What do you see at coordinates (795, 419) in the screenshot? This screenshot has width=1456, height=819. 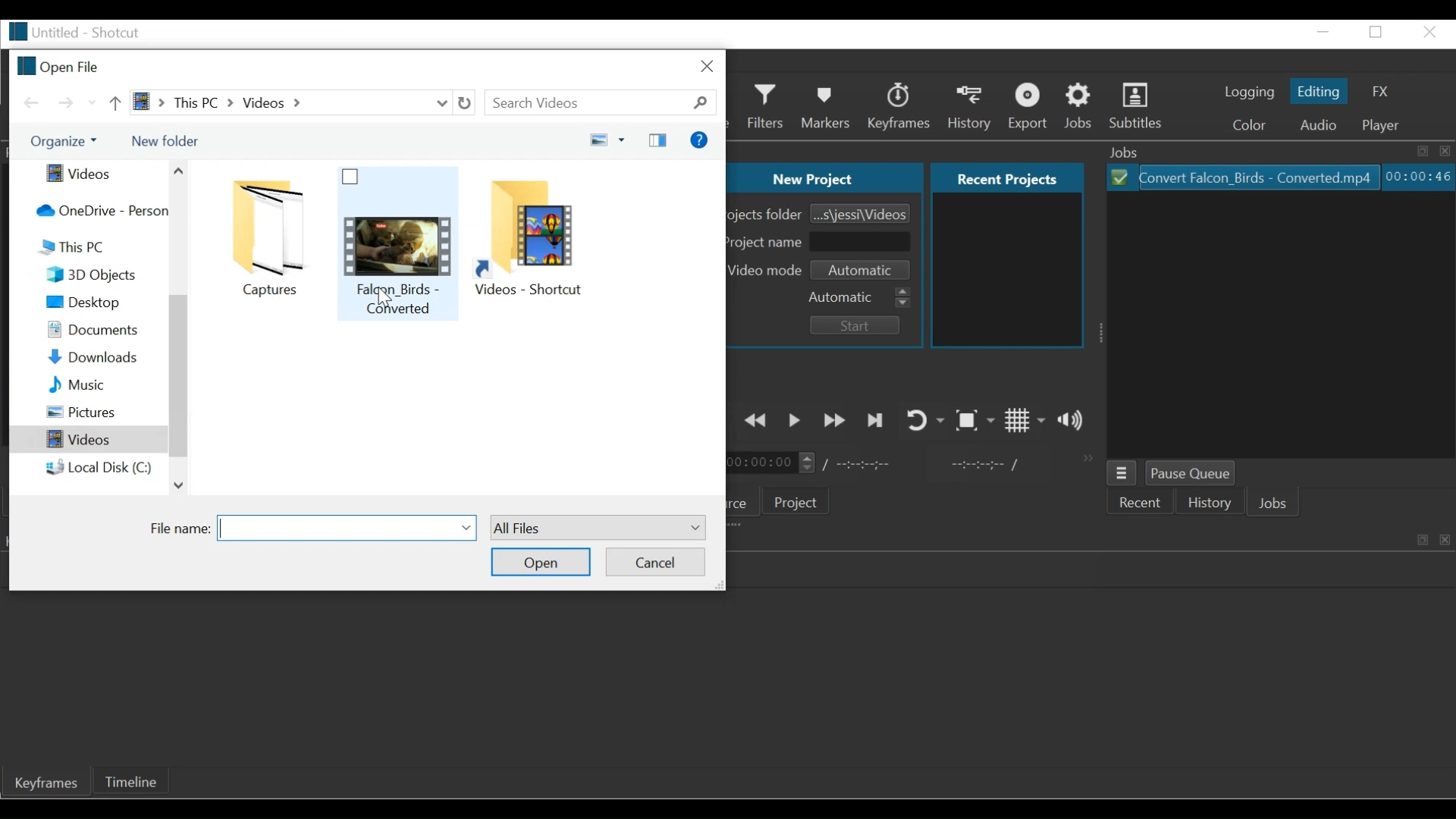 I see `Toggle play or pause` at bounding box center [795, 419].